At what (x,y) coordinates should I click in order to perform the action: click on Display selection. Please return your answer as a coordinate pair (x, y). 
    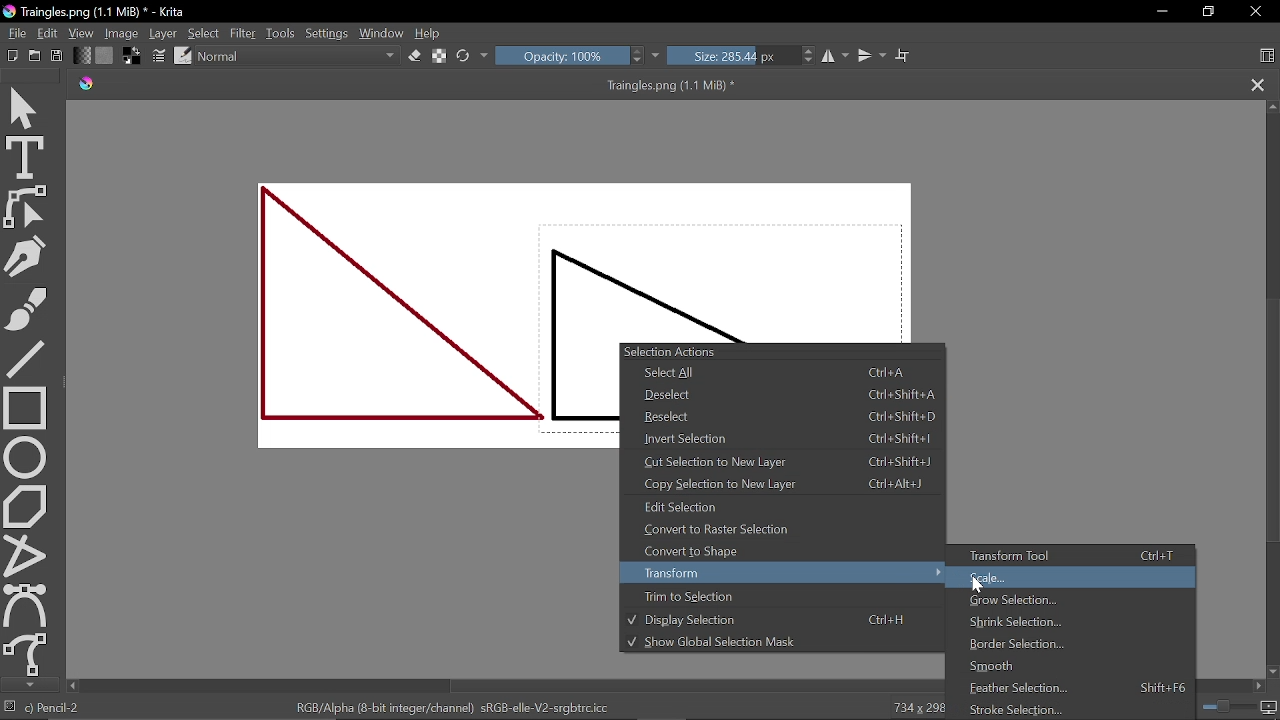
    Looking at the image, I should click on (777, 620).